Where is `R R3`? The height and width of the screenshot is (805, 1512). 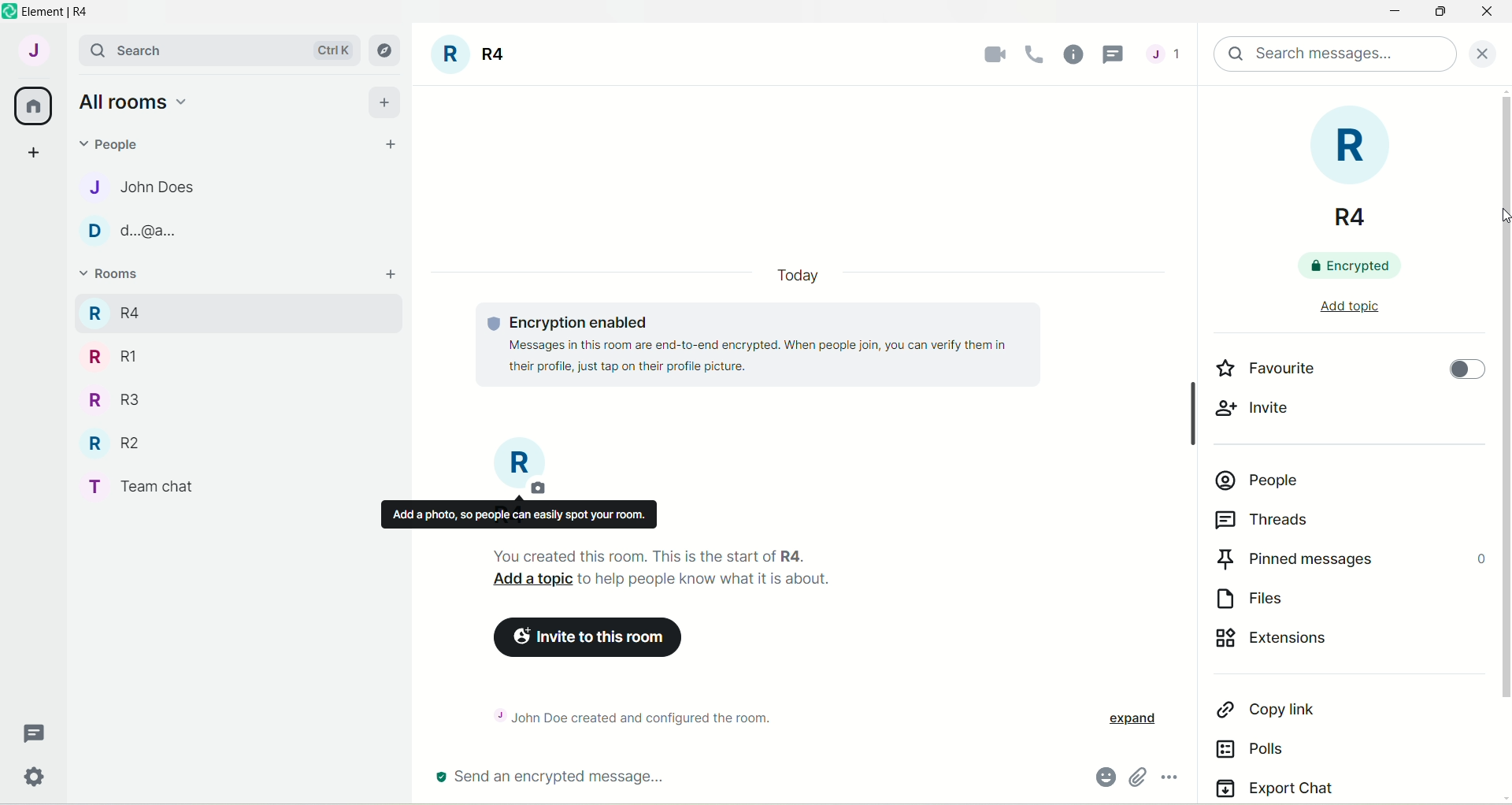 R R3 is located at coordinates (109, 398).